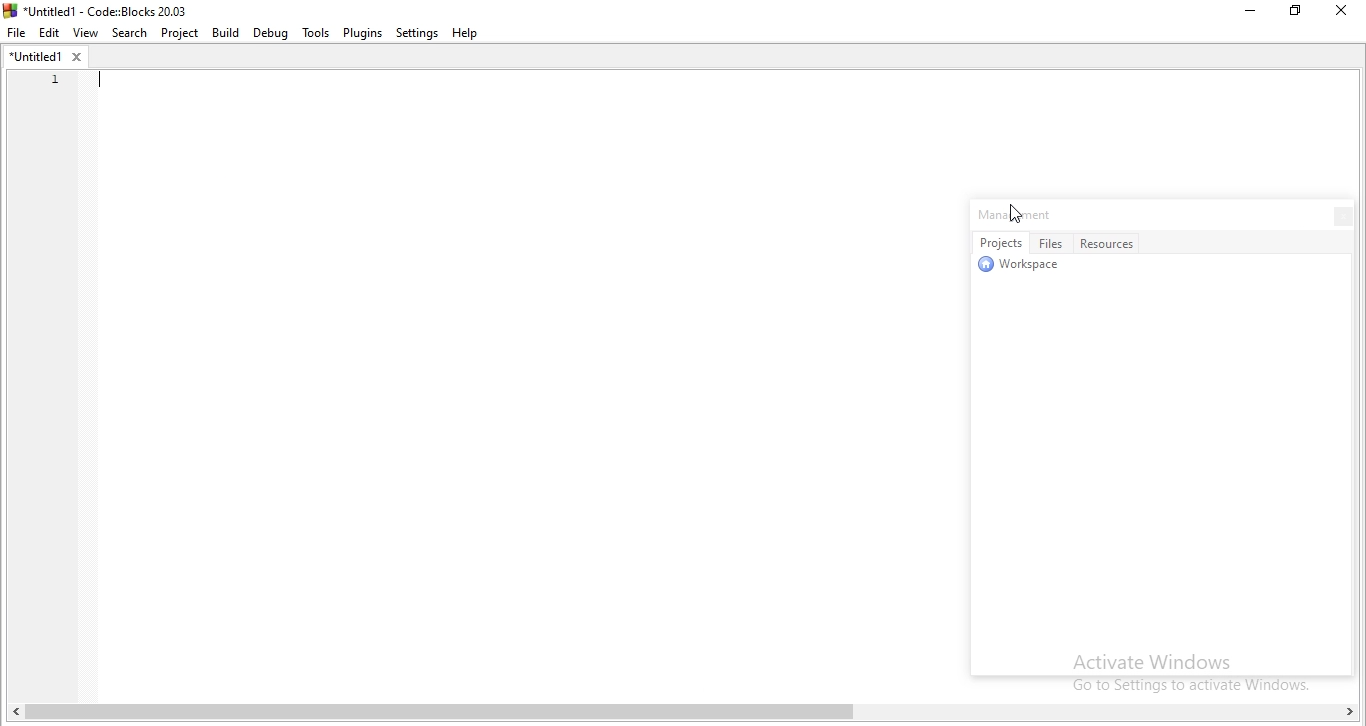  I want to click on Minimise, so click(1243, 14).